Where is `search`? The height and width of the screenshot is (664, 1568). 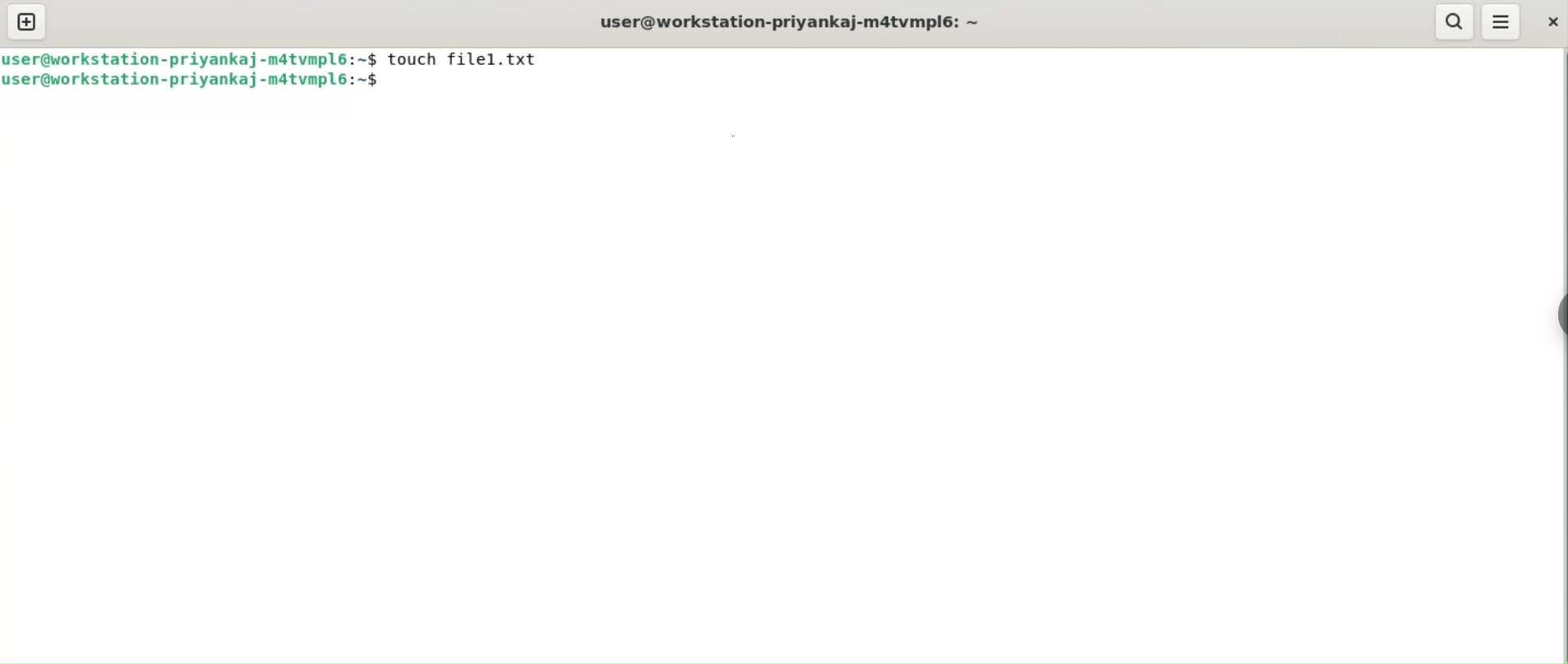 search is located at coordinates (1456, 22).